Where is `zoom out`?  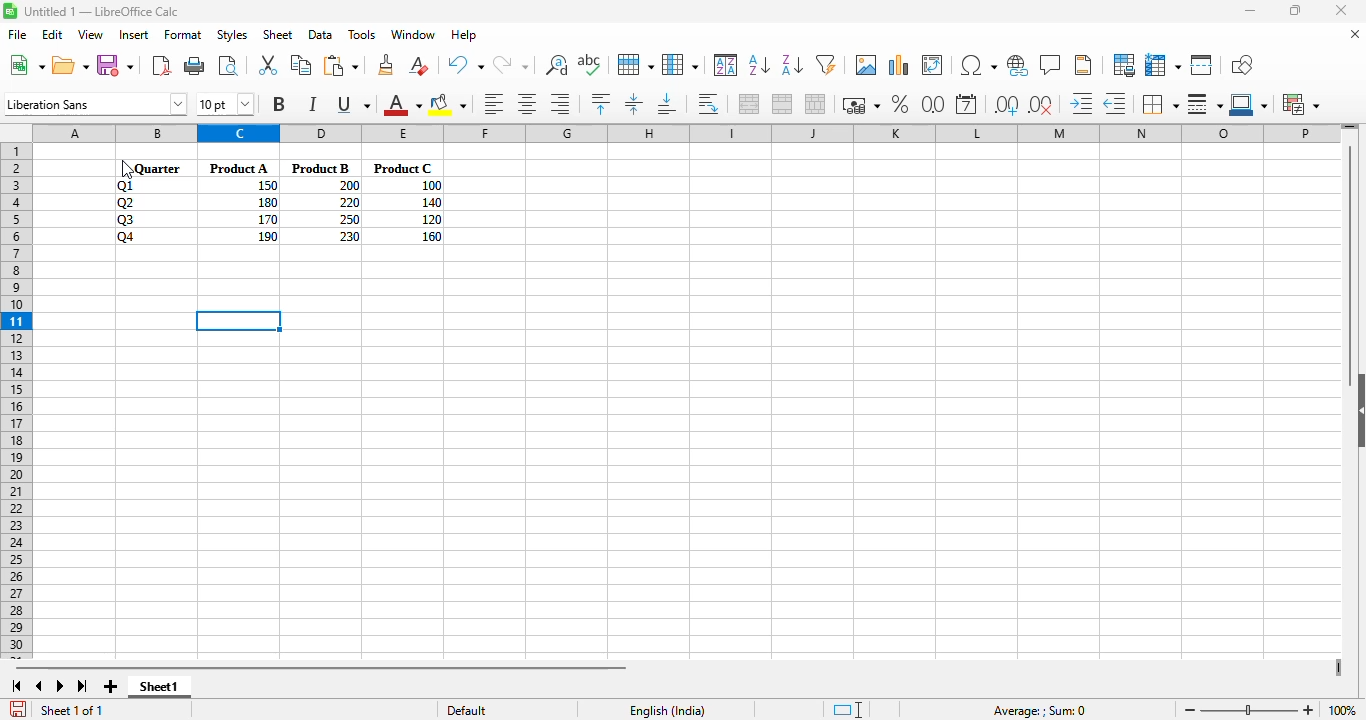
zoom out is located at coordinates (1189, 710).